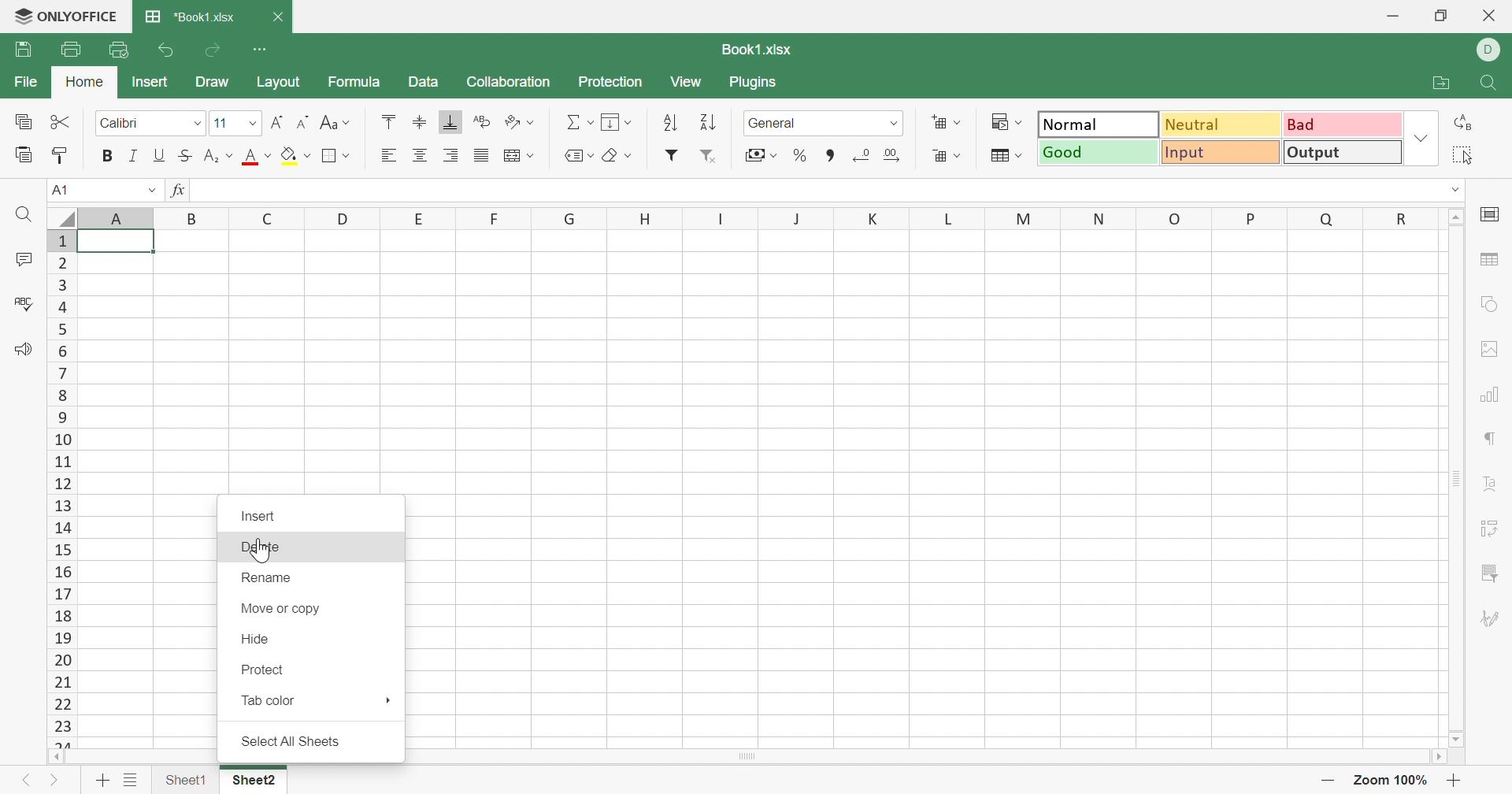  Describe the element at coordinates (1467, 124) in the screenshot. I see `Replace` at that location.